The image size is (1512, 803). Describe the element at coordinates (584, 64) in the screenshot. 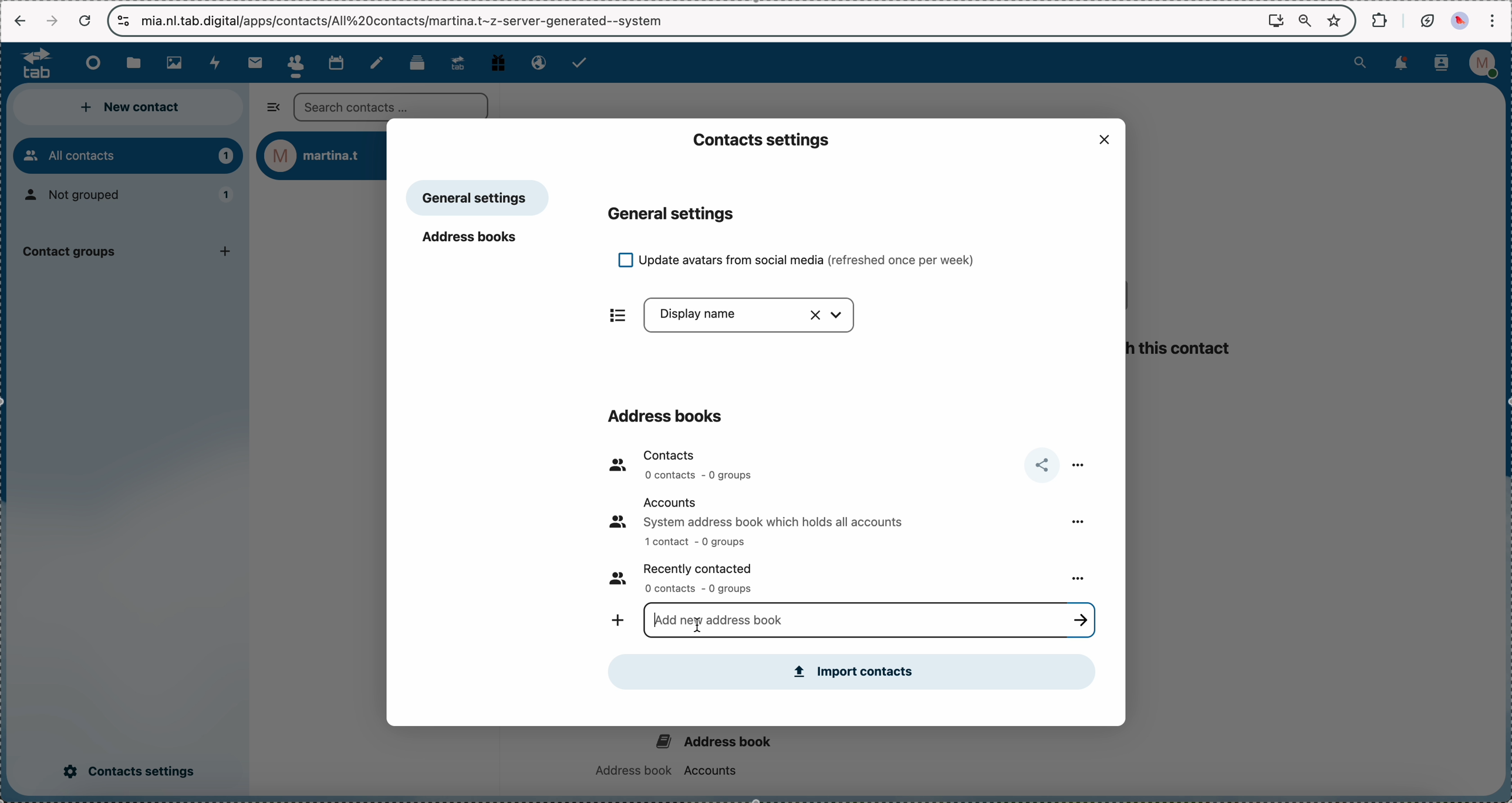

I see `tasks` at that location.